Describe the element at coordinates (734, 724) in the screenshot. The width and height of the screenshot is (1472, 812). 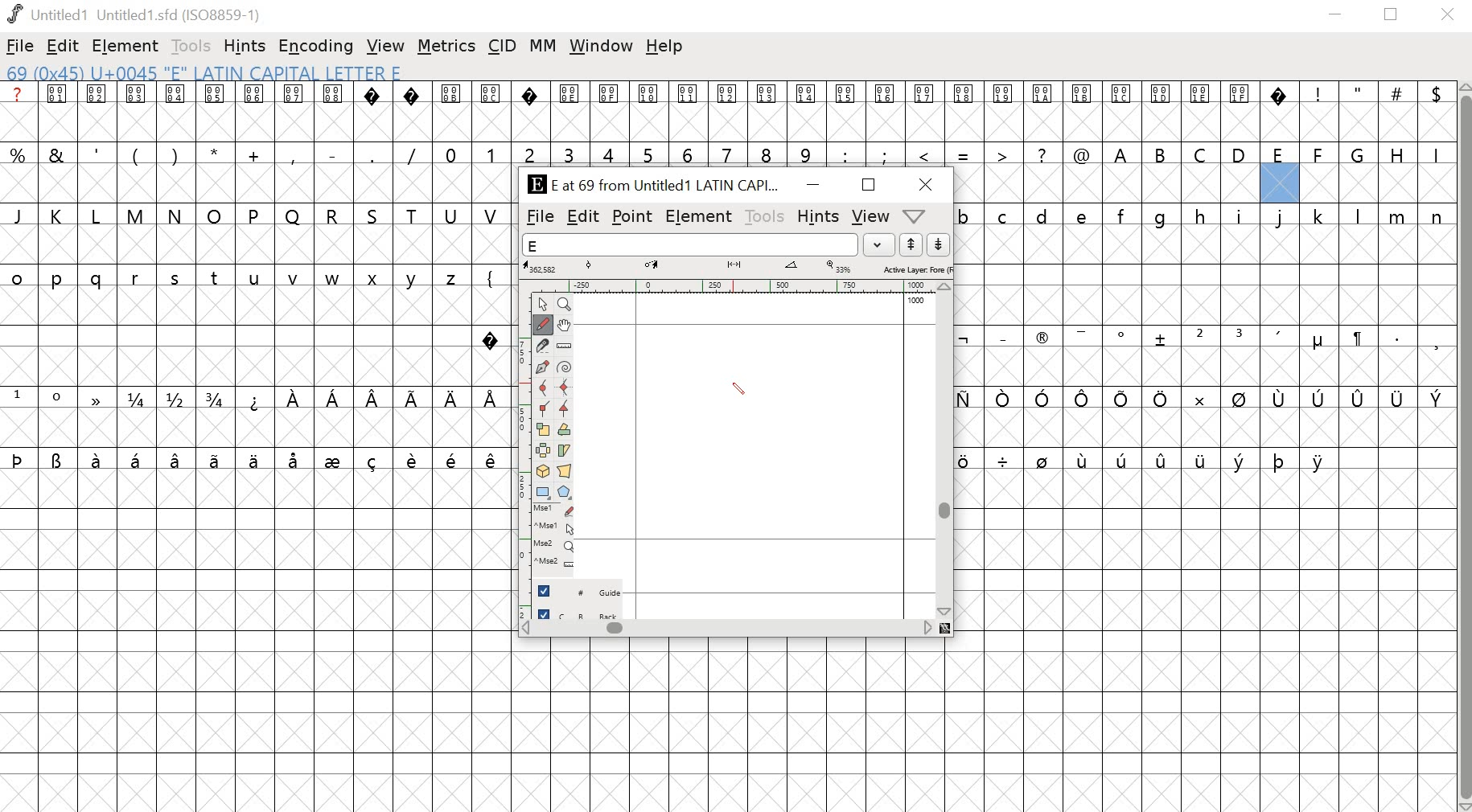
I see `empty cells` at that location.